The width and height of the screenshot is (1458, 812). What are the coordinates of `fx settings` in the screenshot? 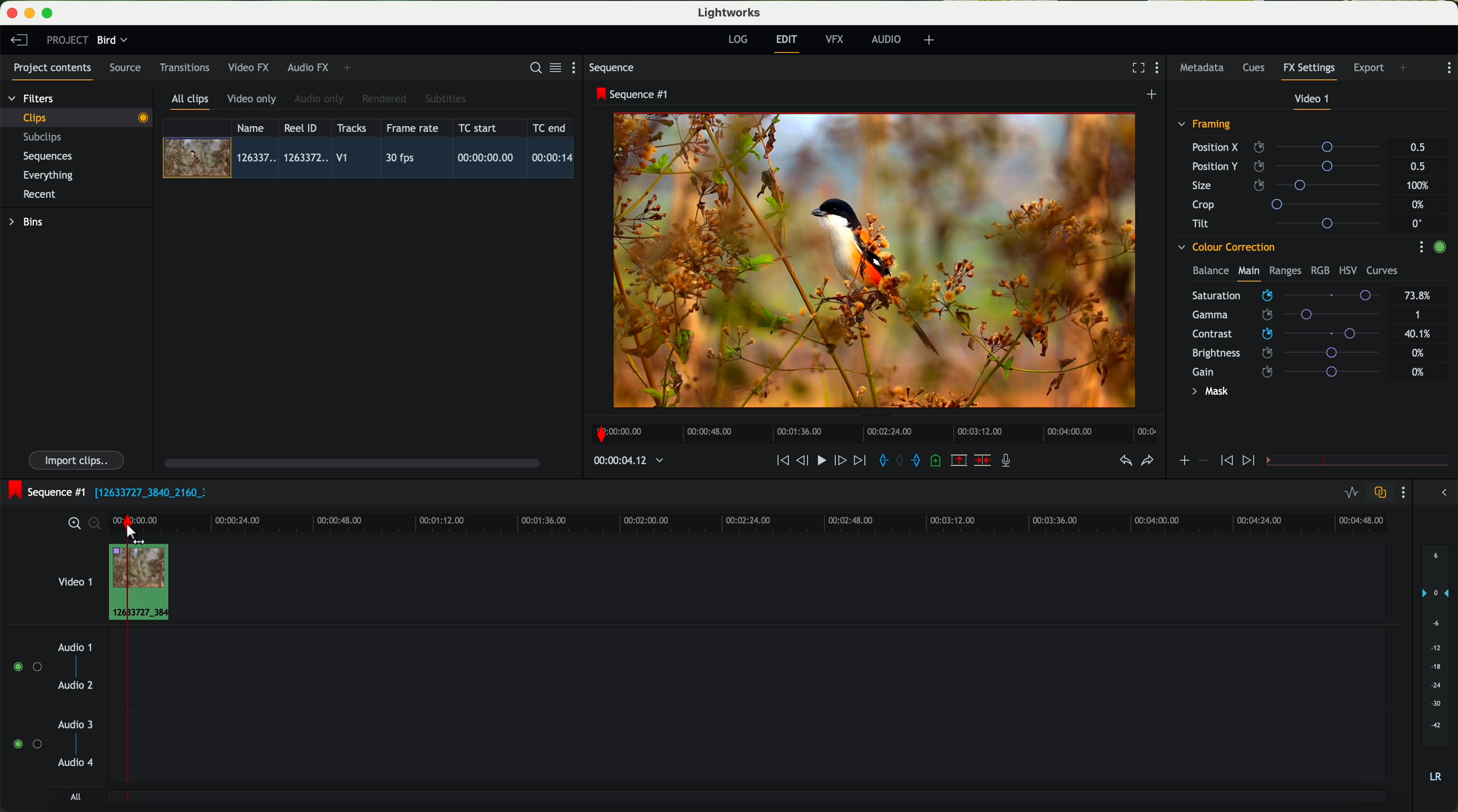 It's located at (1309, 71).